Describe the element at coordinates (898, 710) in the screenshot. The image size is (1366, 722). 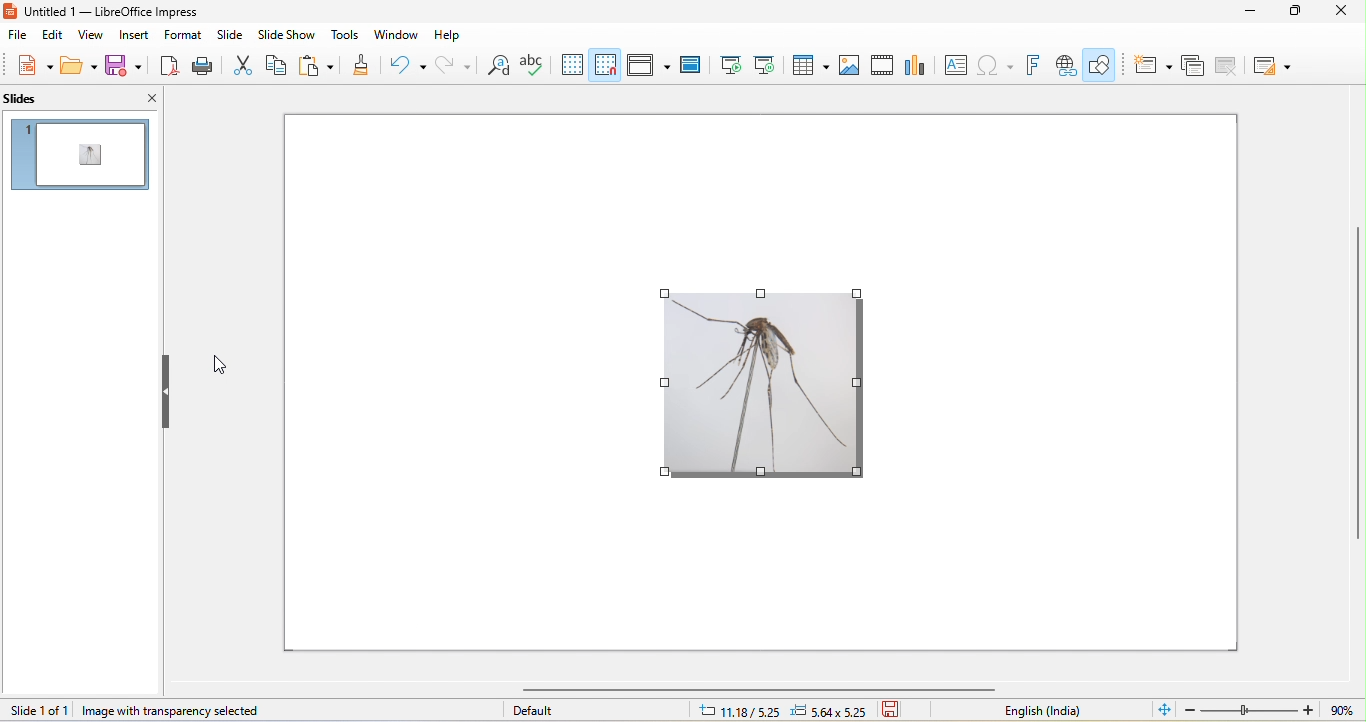
I see `save` at that location.